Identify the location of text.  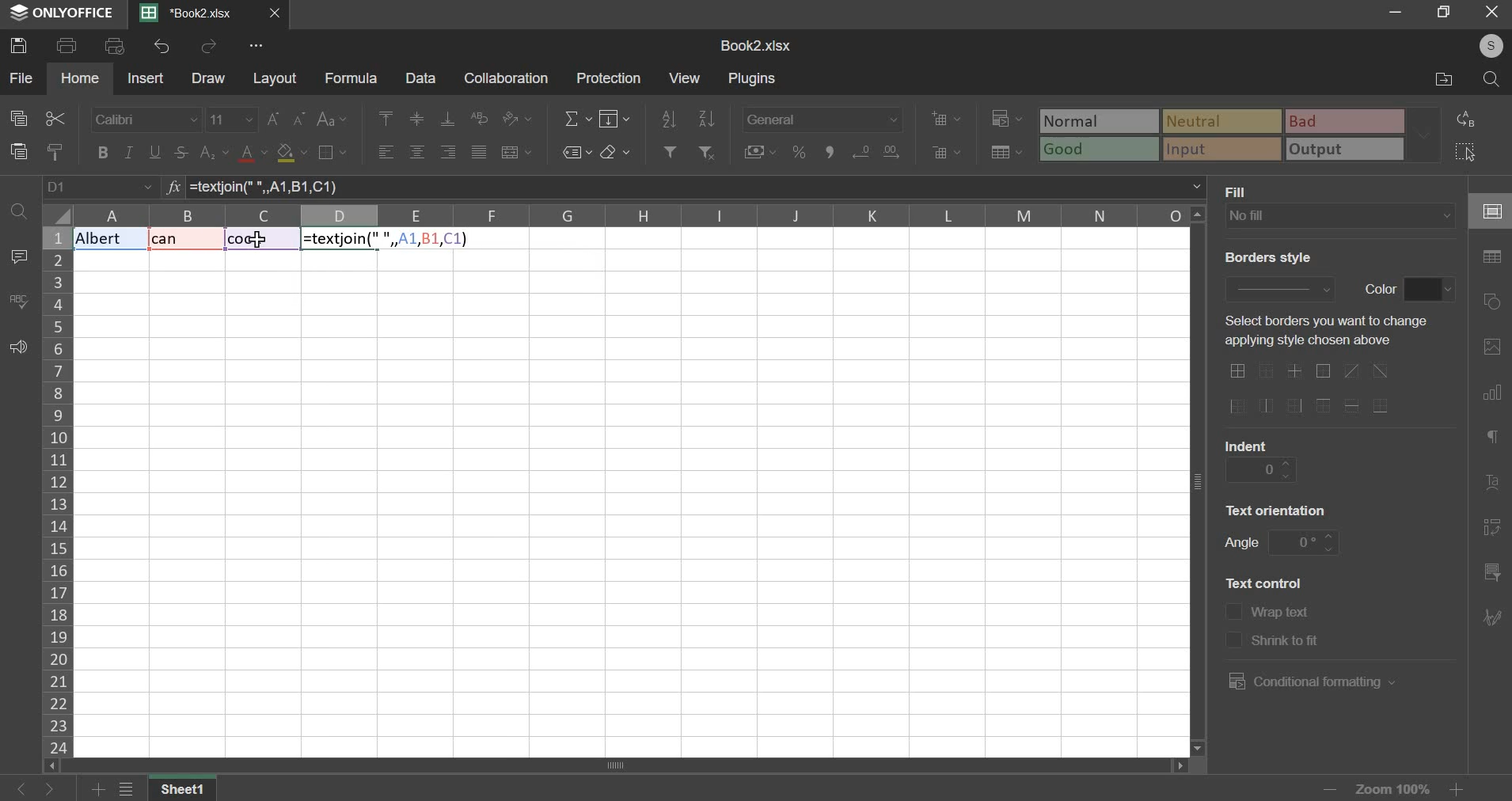
(1241, 191).